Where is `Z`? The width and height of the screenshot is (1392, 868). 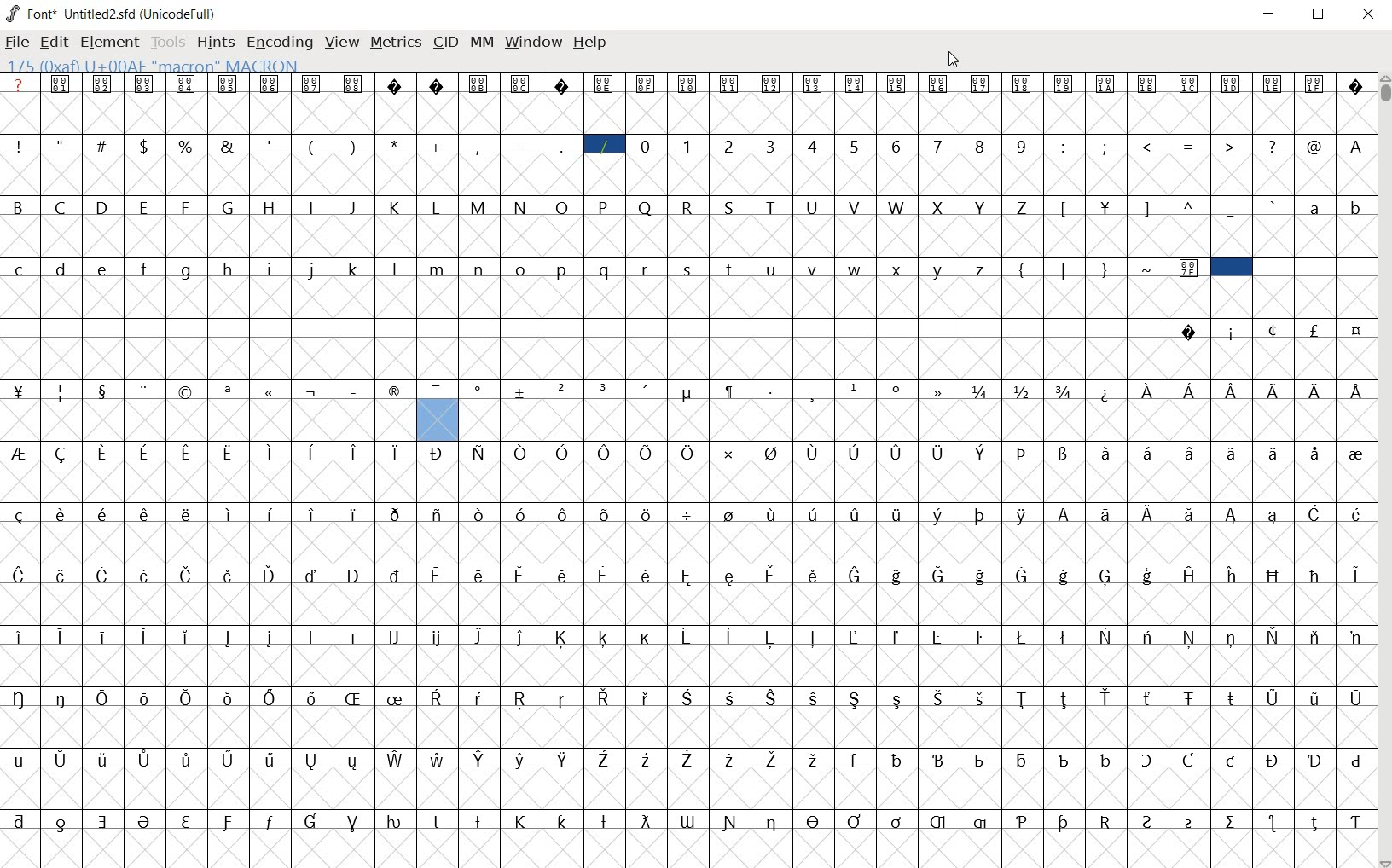 Z is located at coordinates (1024, 206).